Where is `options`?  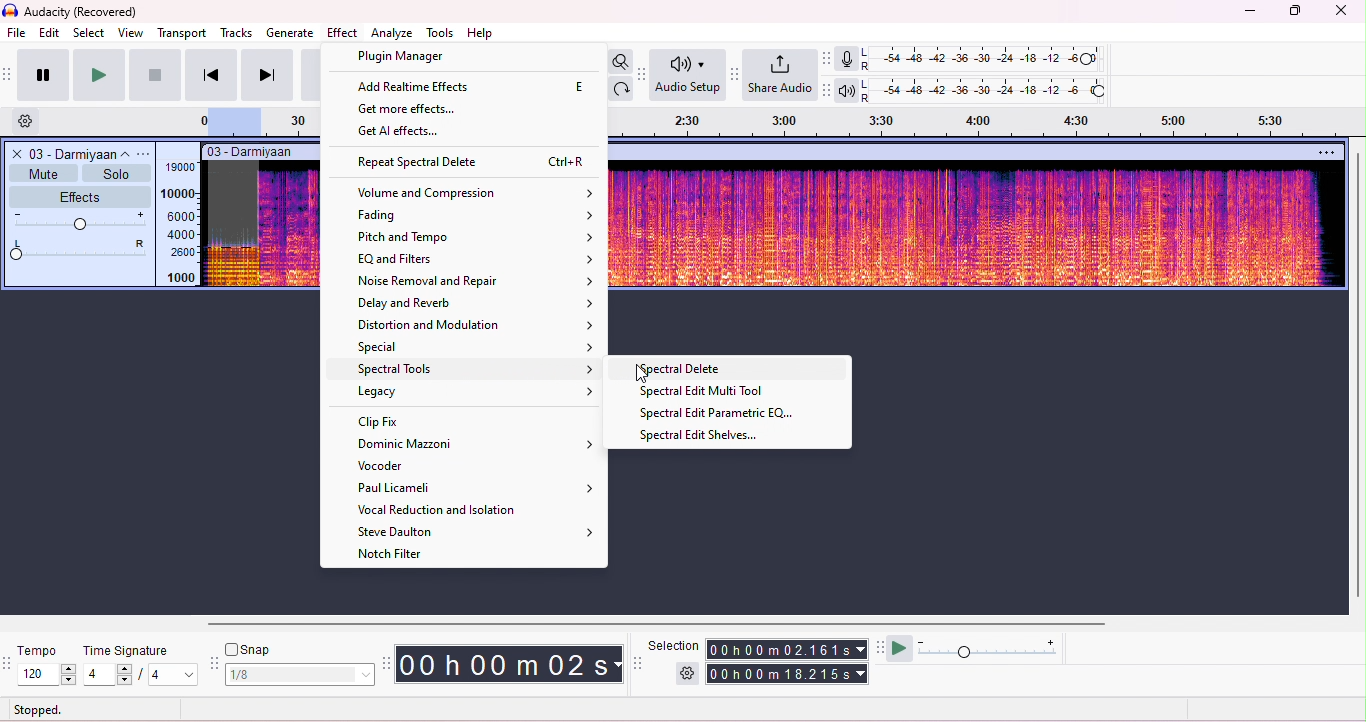 options is located at coordinates (145, 154).